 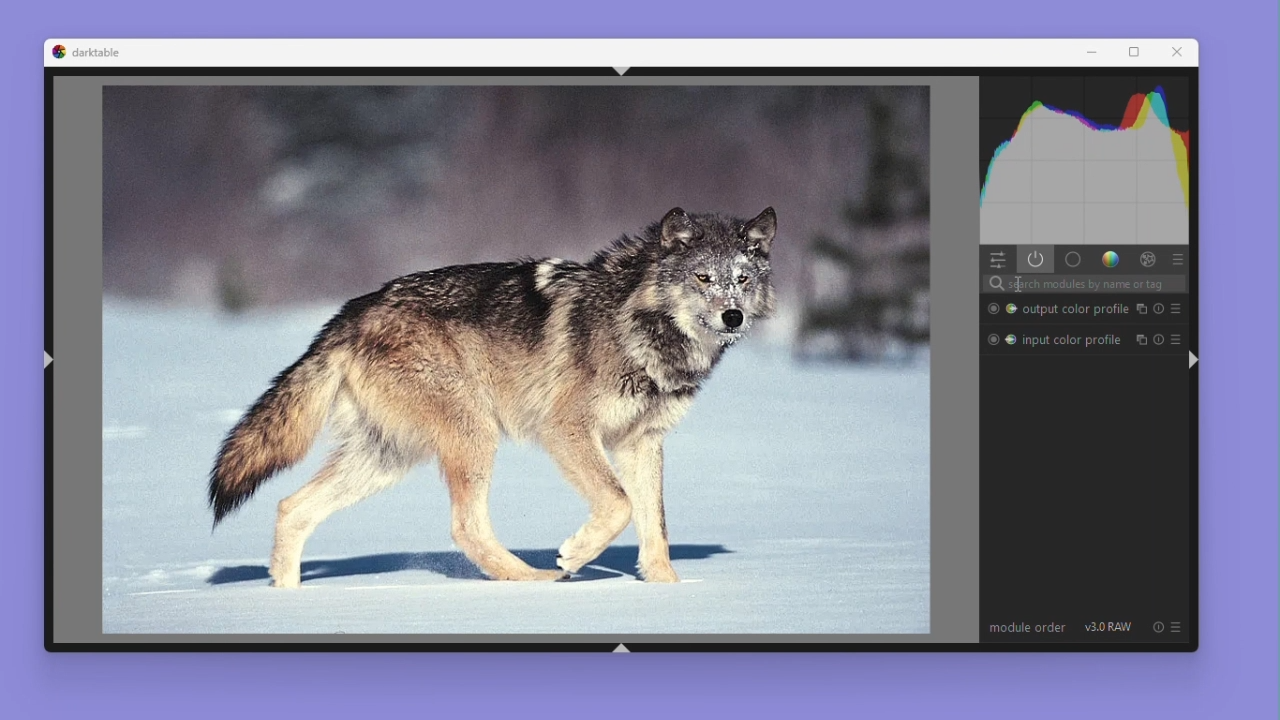 I want to click on Reset, so click(x=1156, y=627).